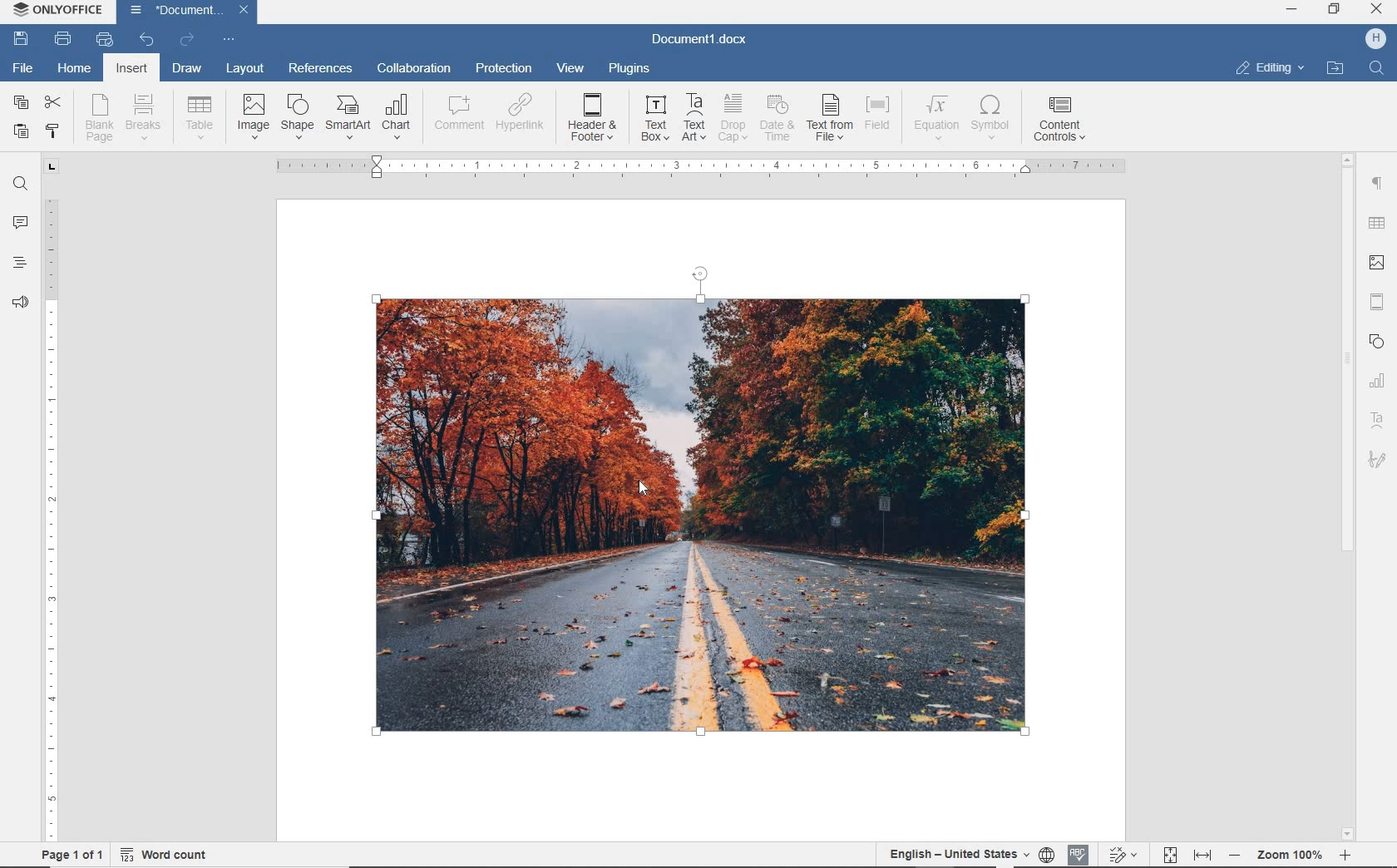  What do you see at coordinates (1064, 121) in the screenshot?
I see `content controls` at bounding box center [1064, 121].